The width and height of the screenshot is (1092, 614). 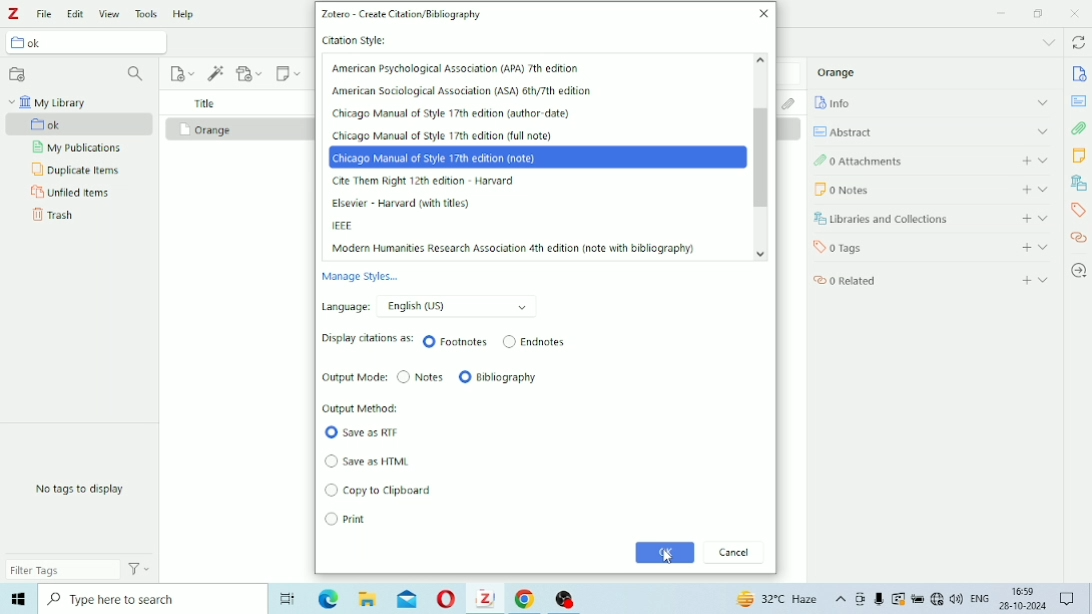 I want to click on Show hidden icons, so click(x=841, y=600).